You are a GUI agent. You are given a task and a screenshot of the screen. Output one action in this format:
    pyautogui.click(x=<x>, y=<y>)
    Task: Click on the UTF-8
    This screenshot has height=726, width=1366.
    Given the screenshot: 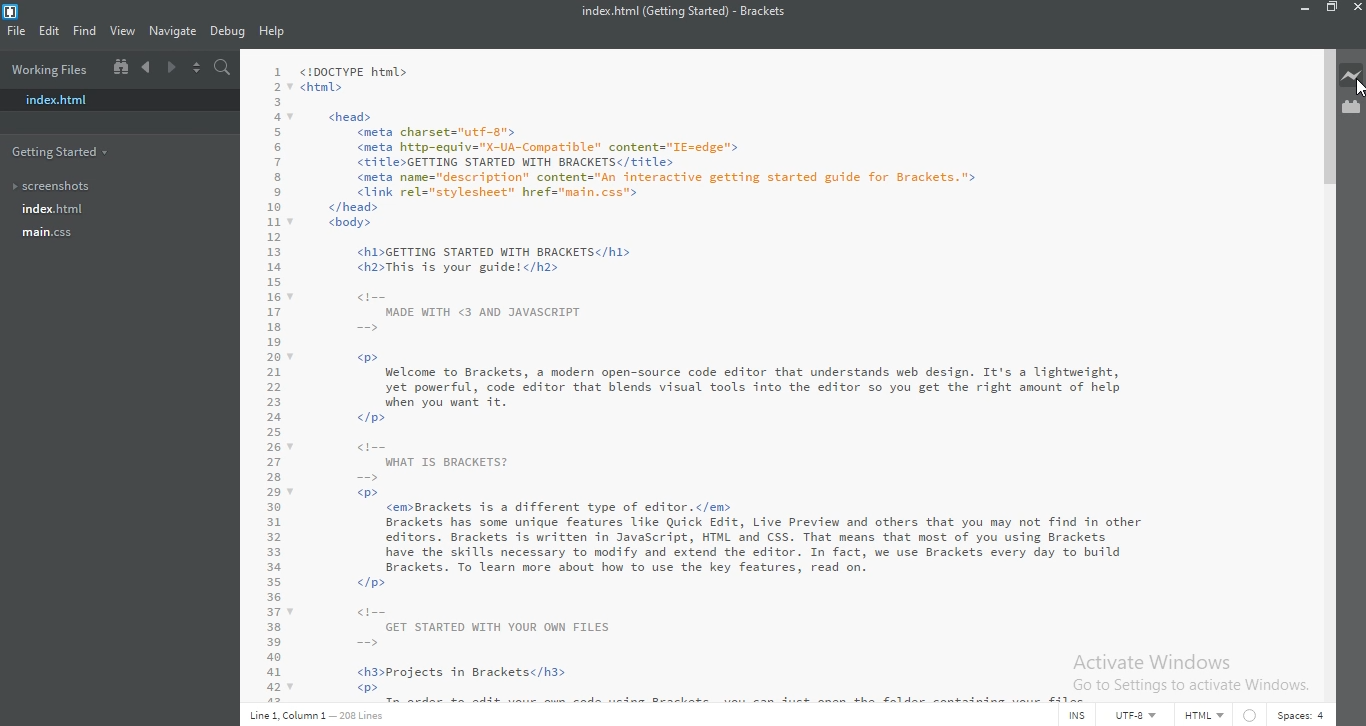 What is the action you would take?
    pyautogui.click(x=1137, y=717)
    